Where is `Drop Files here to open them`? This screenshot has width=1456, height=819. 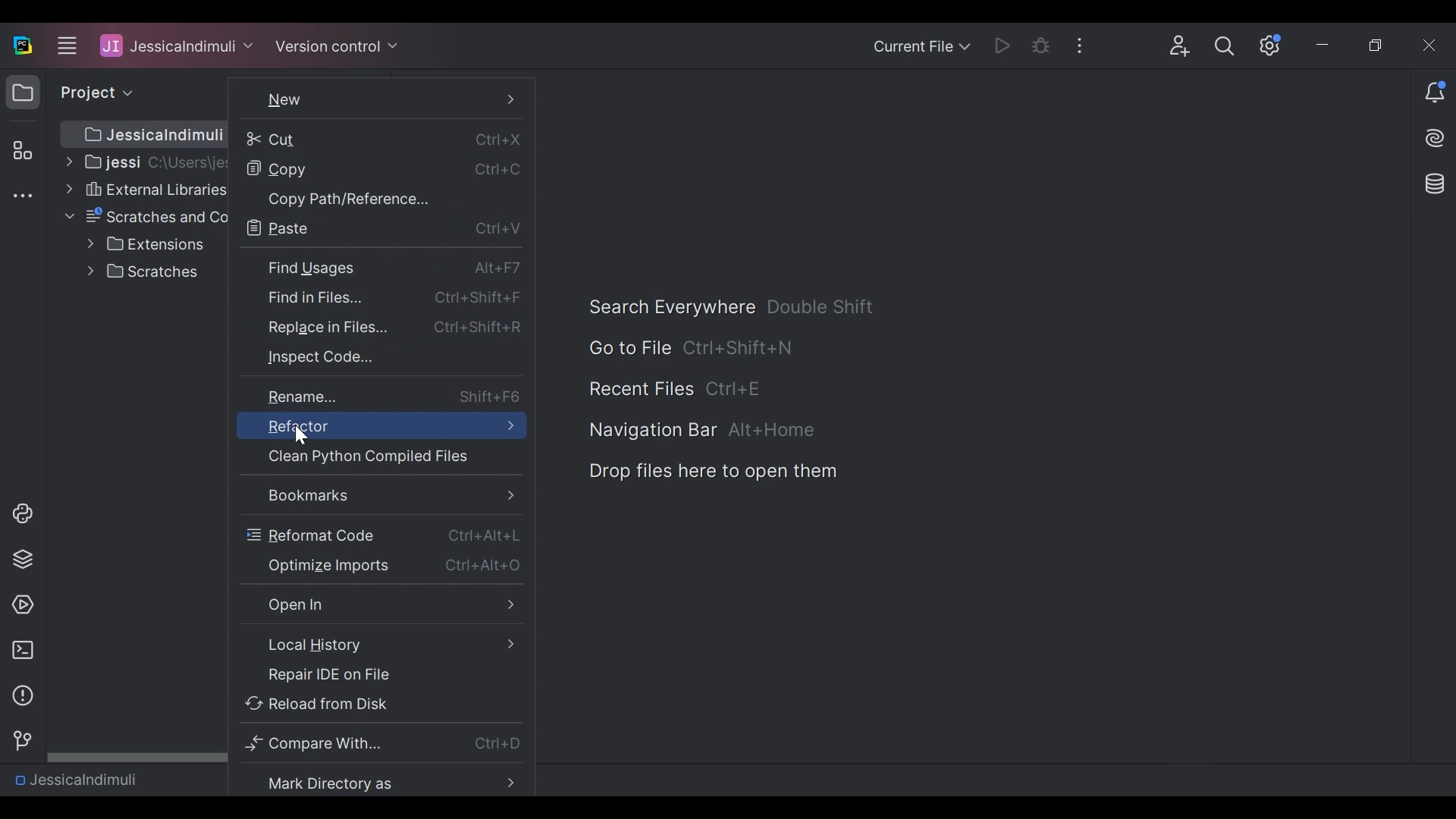
Drop Files here to open them is located at coordinates (711, 472).